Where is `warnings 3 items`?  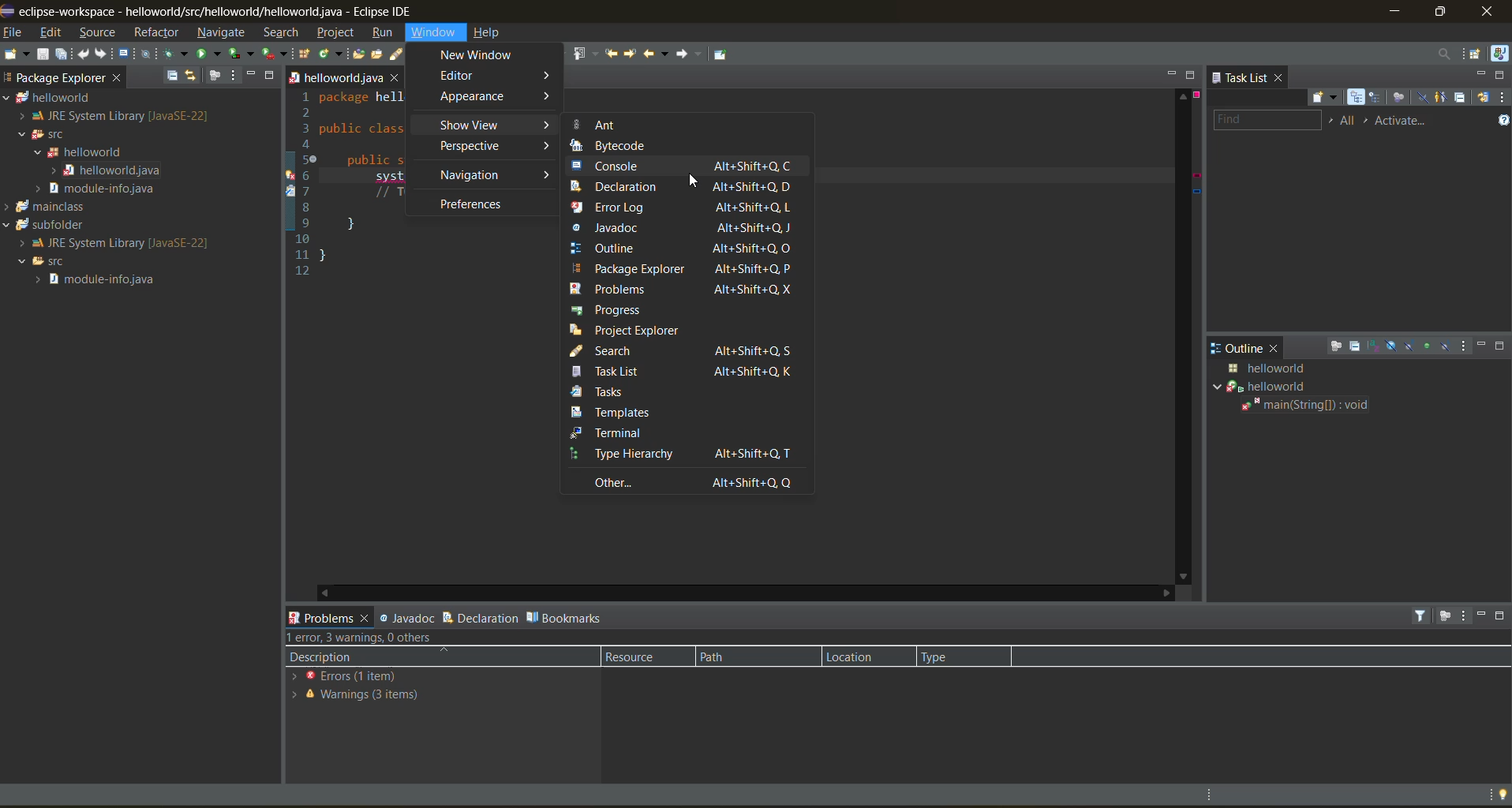
warnings 3 items is located at coordinates (357, 697).